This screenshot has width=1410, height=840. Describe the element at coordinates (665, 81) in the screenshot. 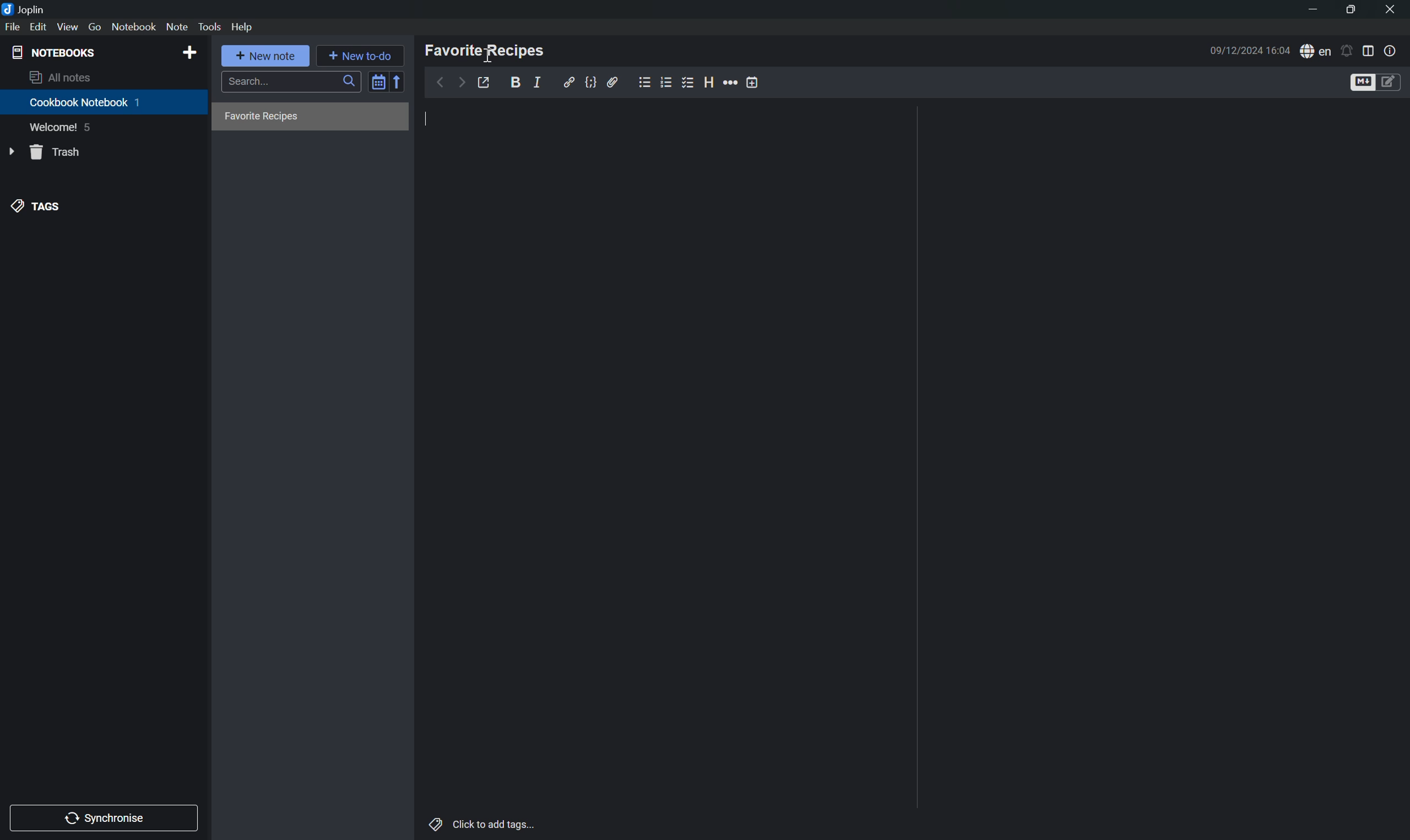

I see `Numbered list` at that location.